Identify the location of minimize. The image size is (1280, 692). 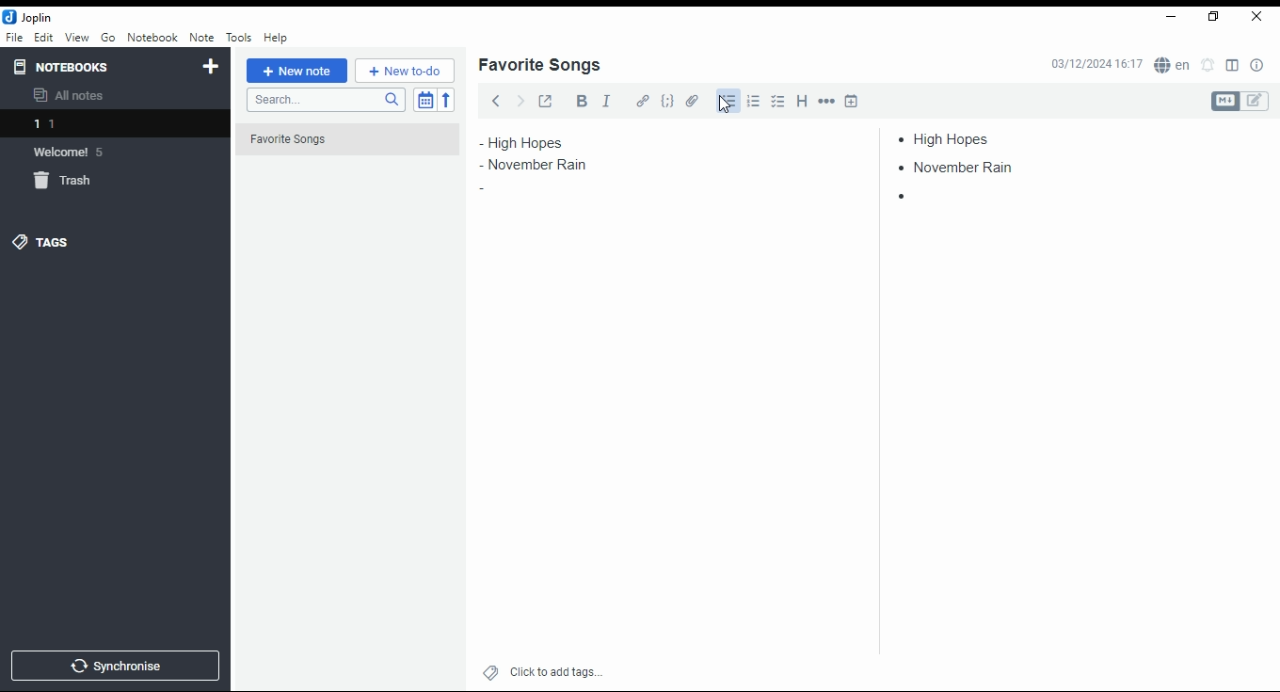
(1168, 18).